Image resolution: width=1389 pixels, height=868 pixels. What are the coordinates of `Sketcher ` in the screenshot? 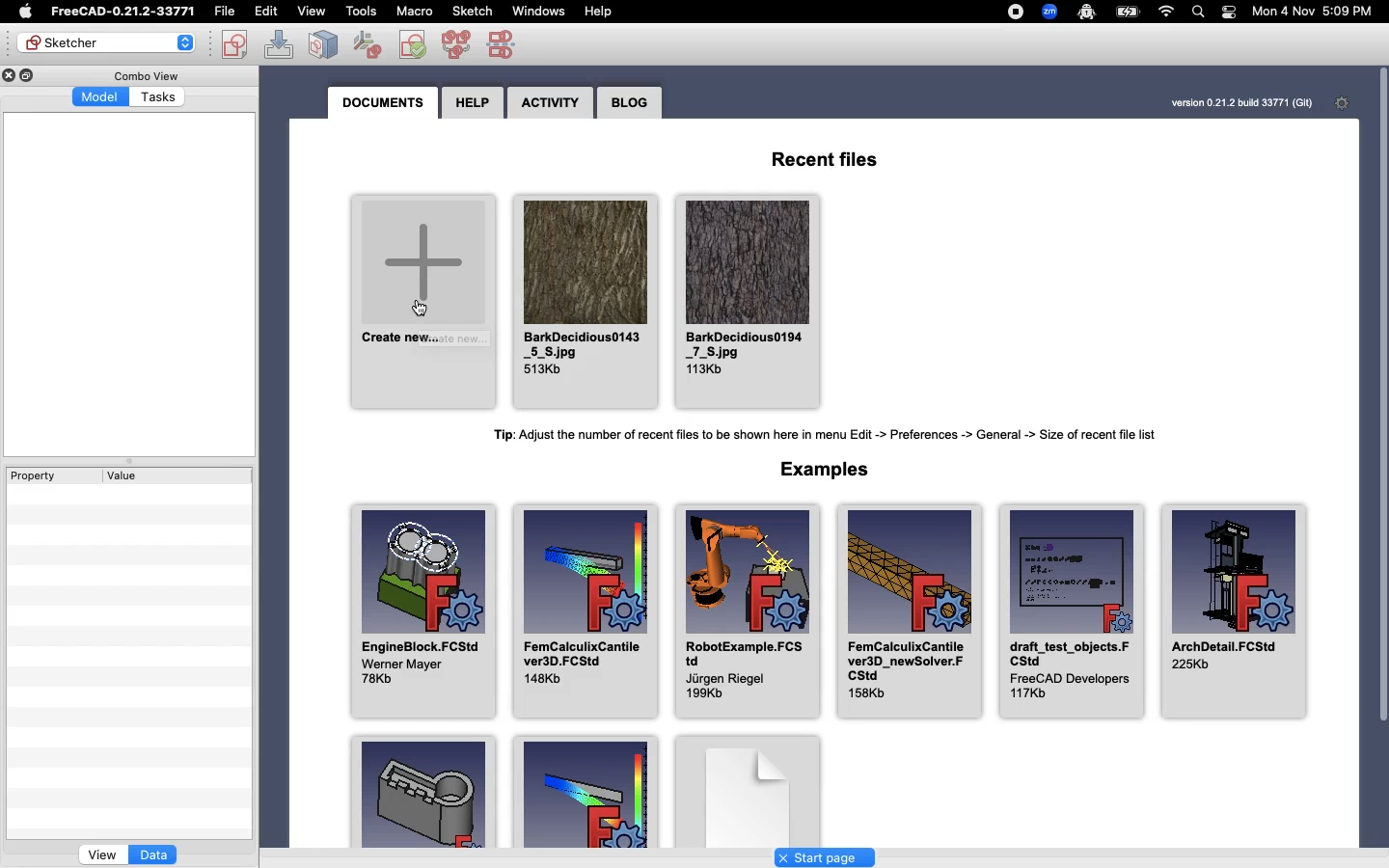 It's located at (105, 42).